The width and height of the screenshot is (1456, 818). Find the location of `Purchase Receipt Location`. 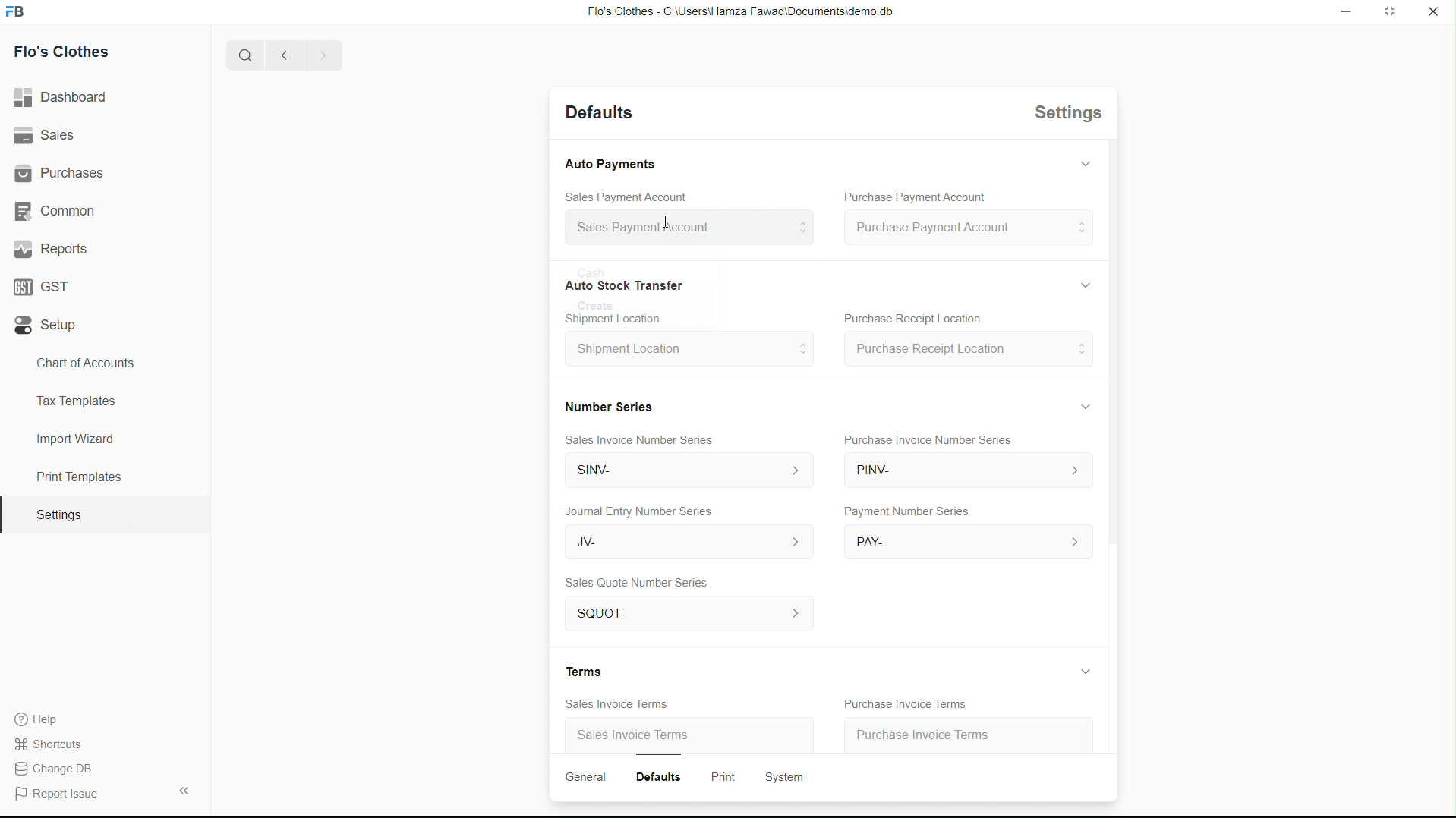

Purchase Receipt Location is located at coordinates (969, 348).